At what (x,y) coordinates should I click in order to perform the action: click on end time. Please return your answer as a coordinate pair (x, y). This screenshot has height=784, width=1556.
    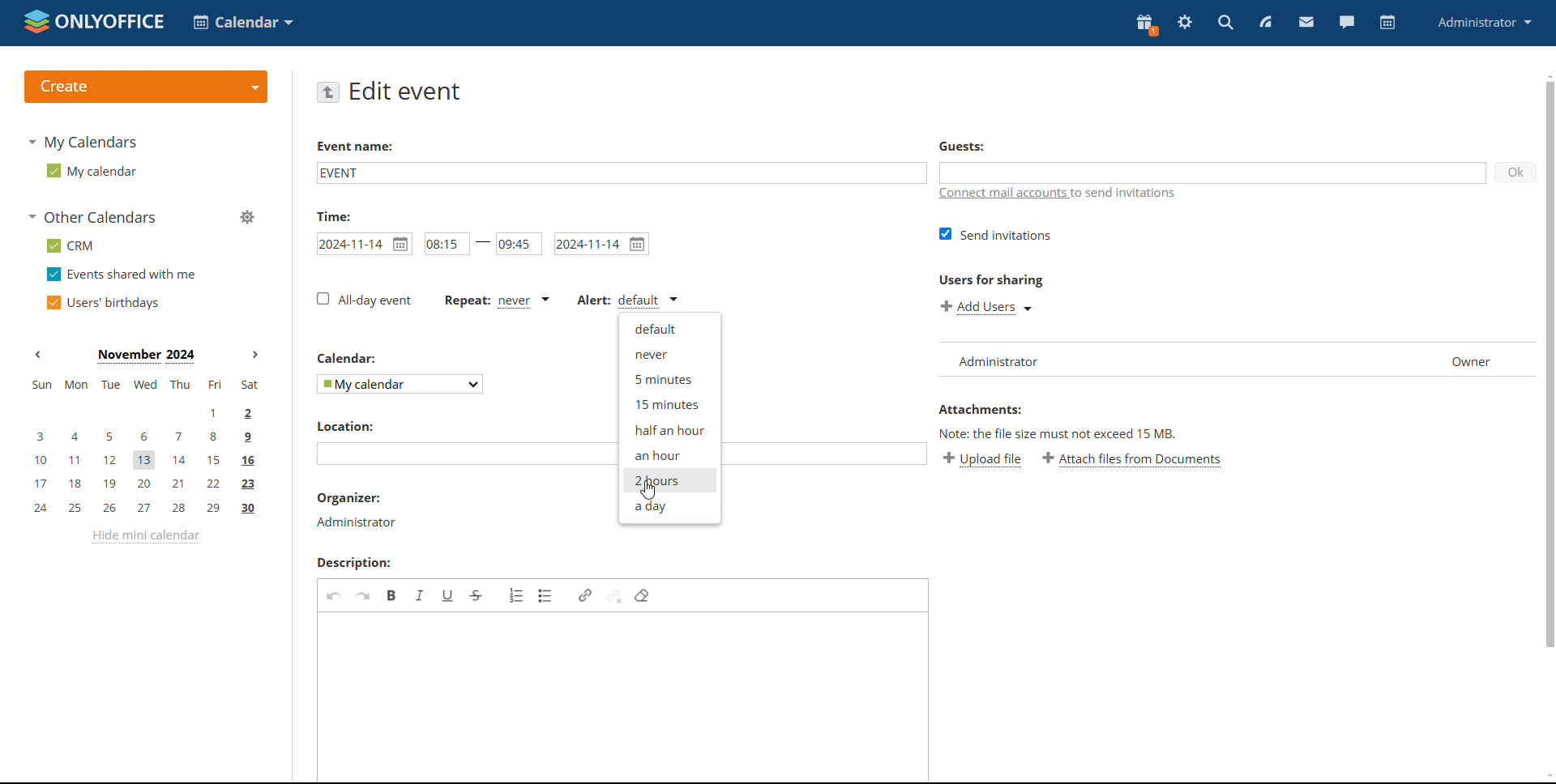
    Looking at the image, I should click on (519, 244).